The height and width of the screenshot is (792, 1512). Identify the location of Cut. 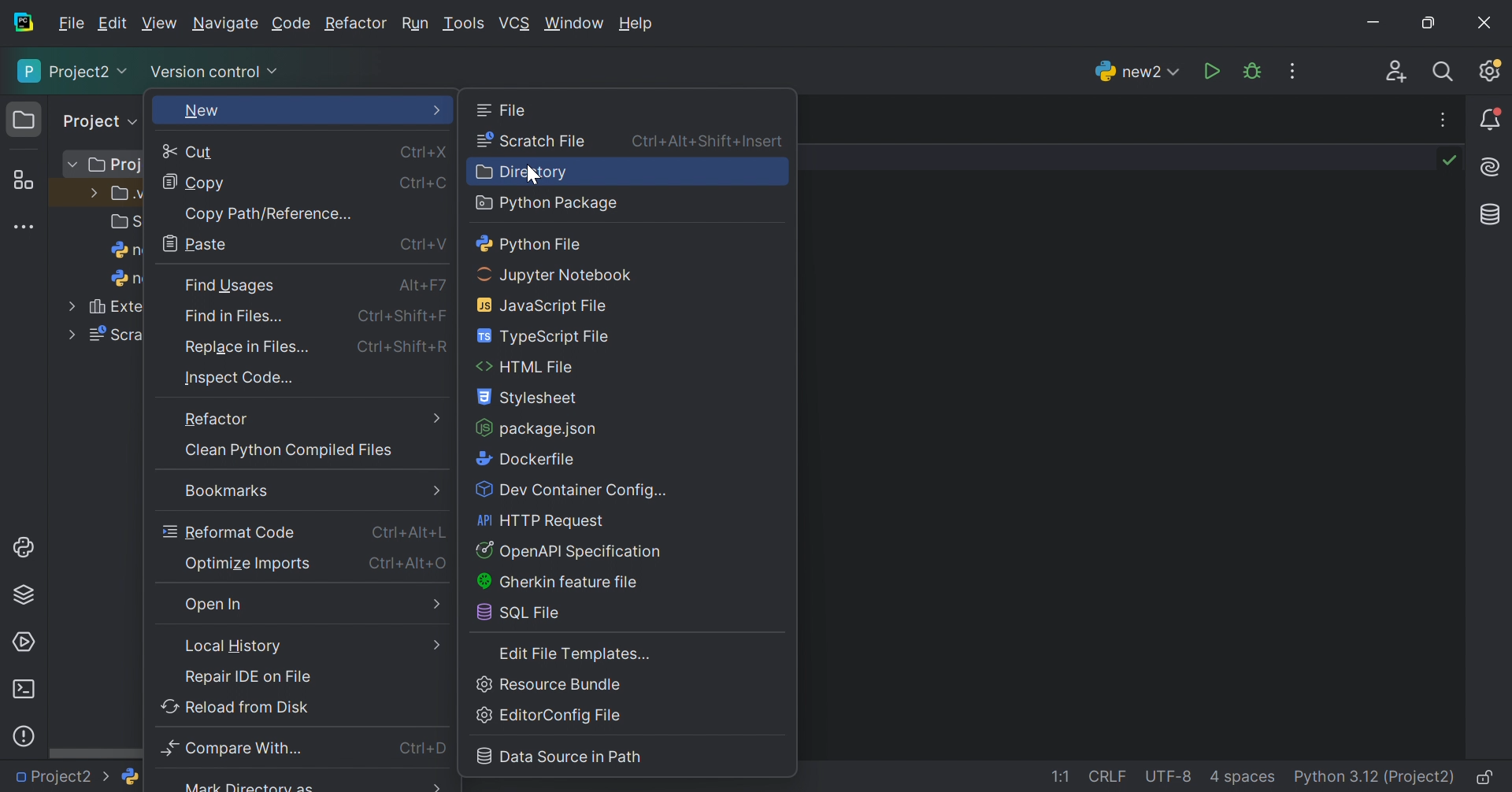
(193, 154).